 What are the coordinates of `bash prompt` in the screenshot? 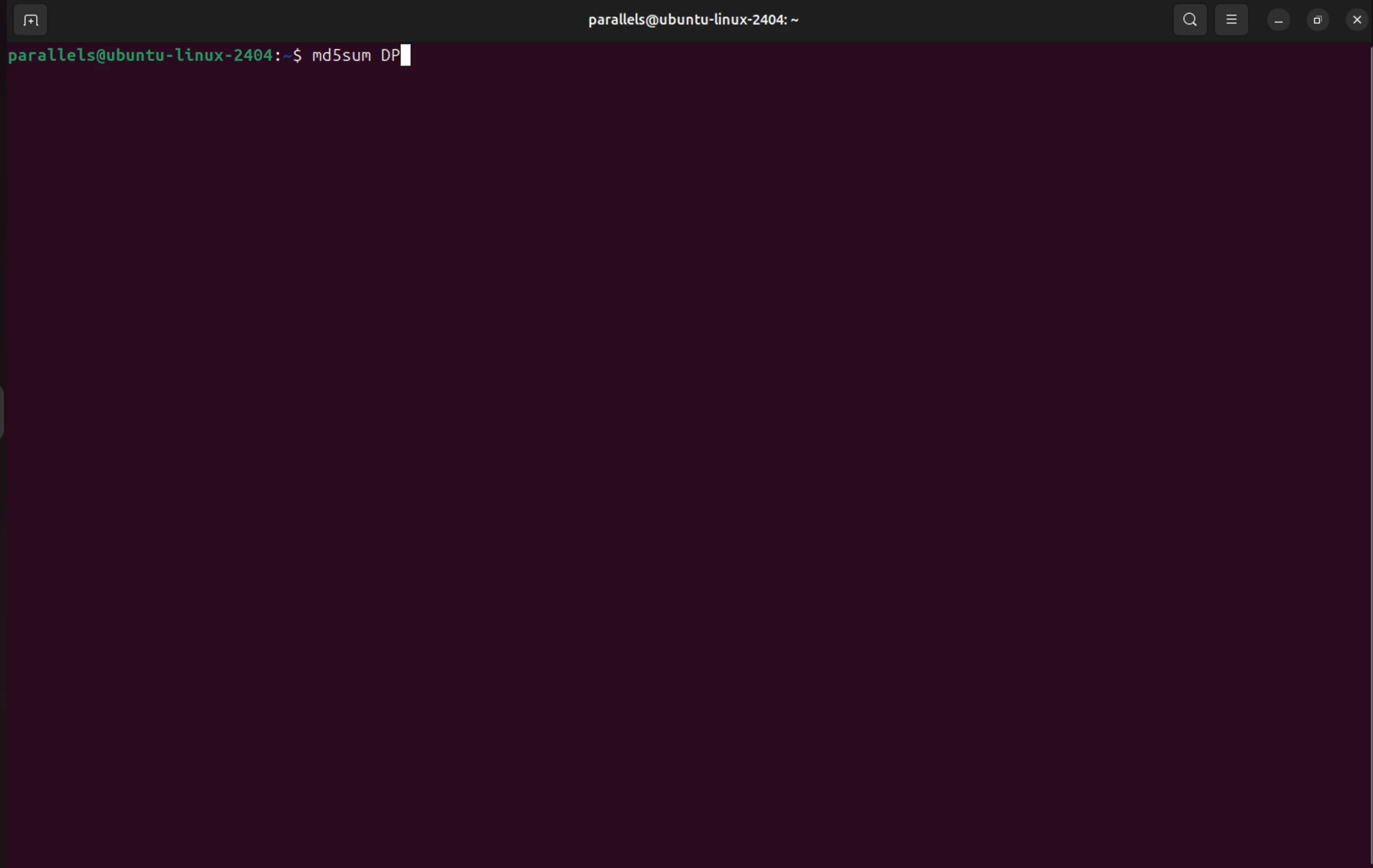 It's located at (152, 52).